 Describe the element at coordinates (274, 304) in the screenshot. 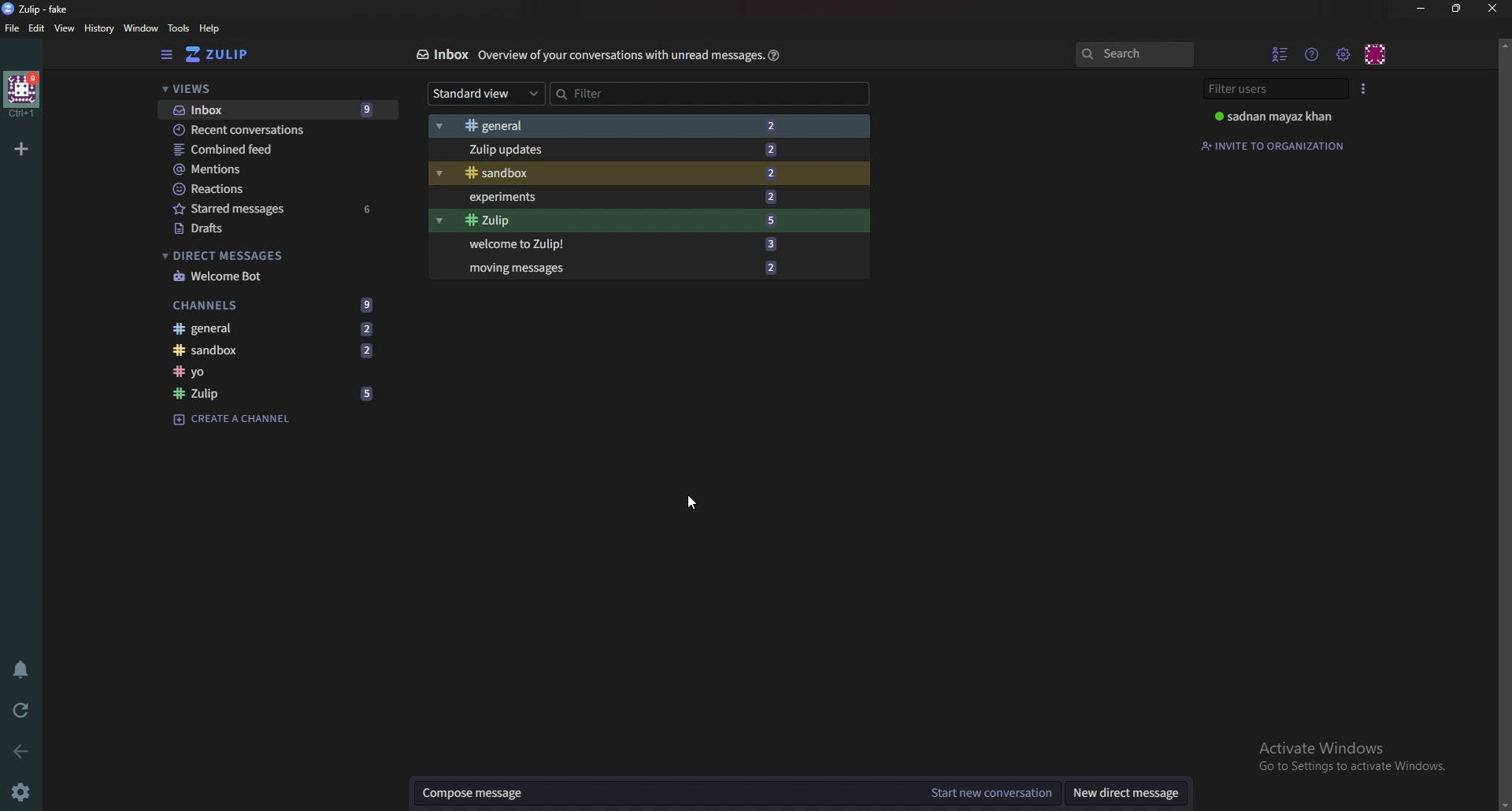

I see `Channels` at that location.